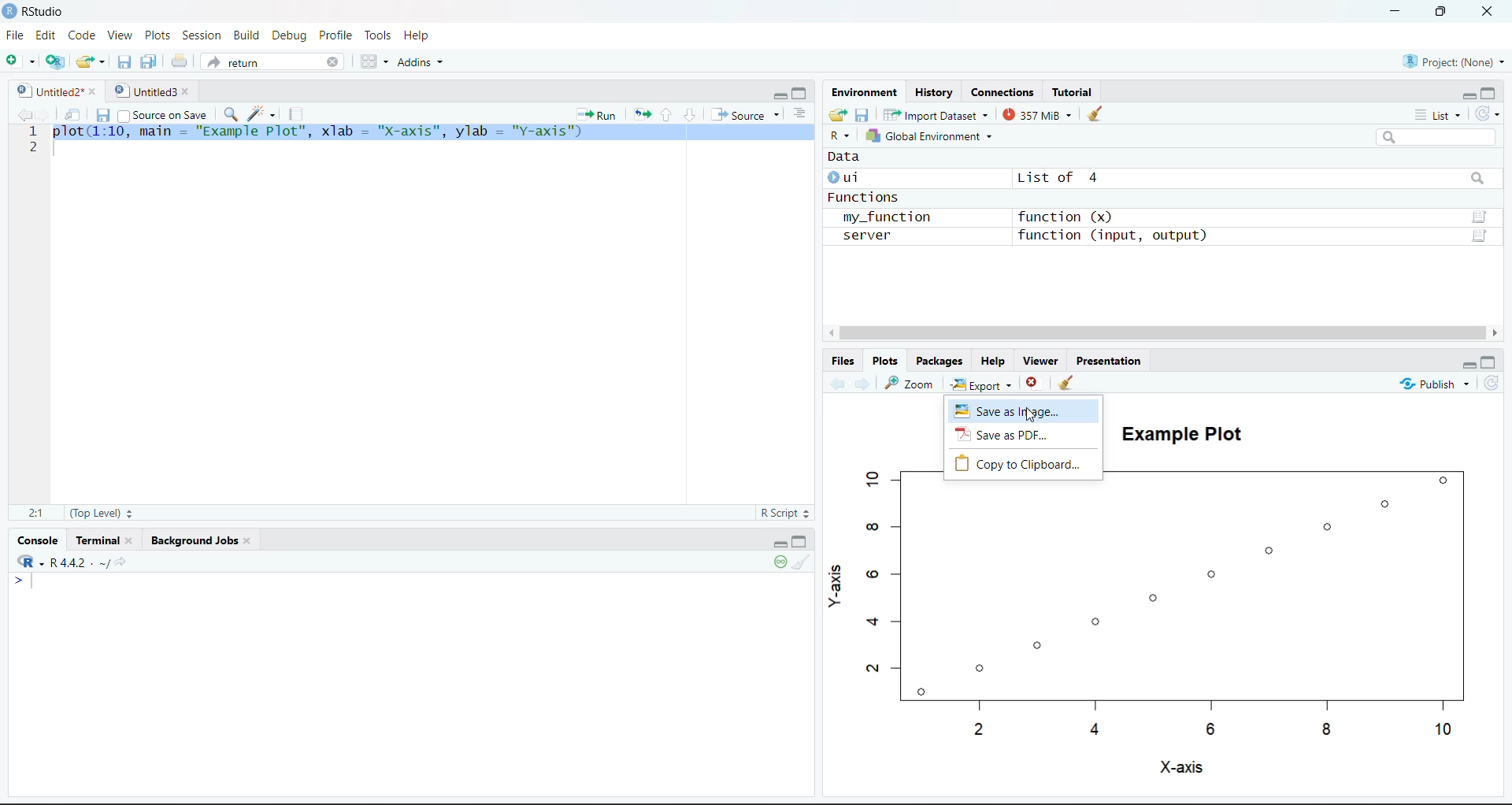 This screenshot has width=1512, height=805. Describe the element at coordinates (40, 538) in the screenshot. I see `Console` at that location.